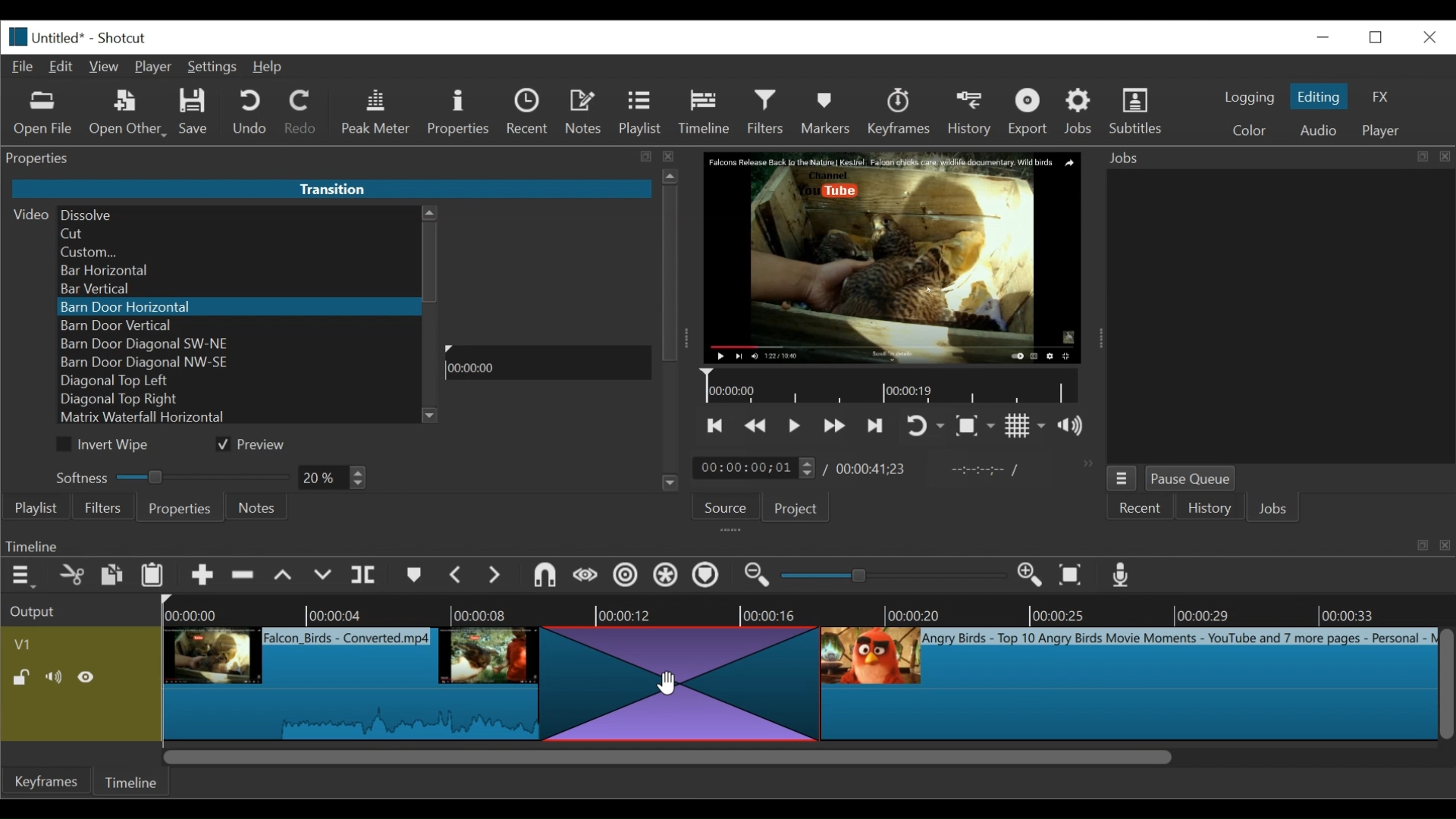  What do you see at coordinates (79, 642) in the screenshot?
I see `Video track name` at bounding box center [79, 642].